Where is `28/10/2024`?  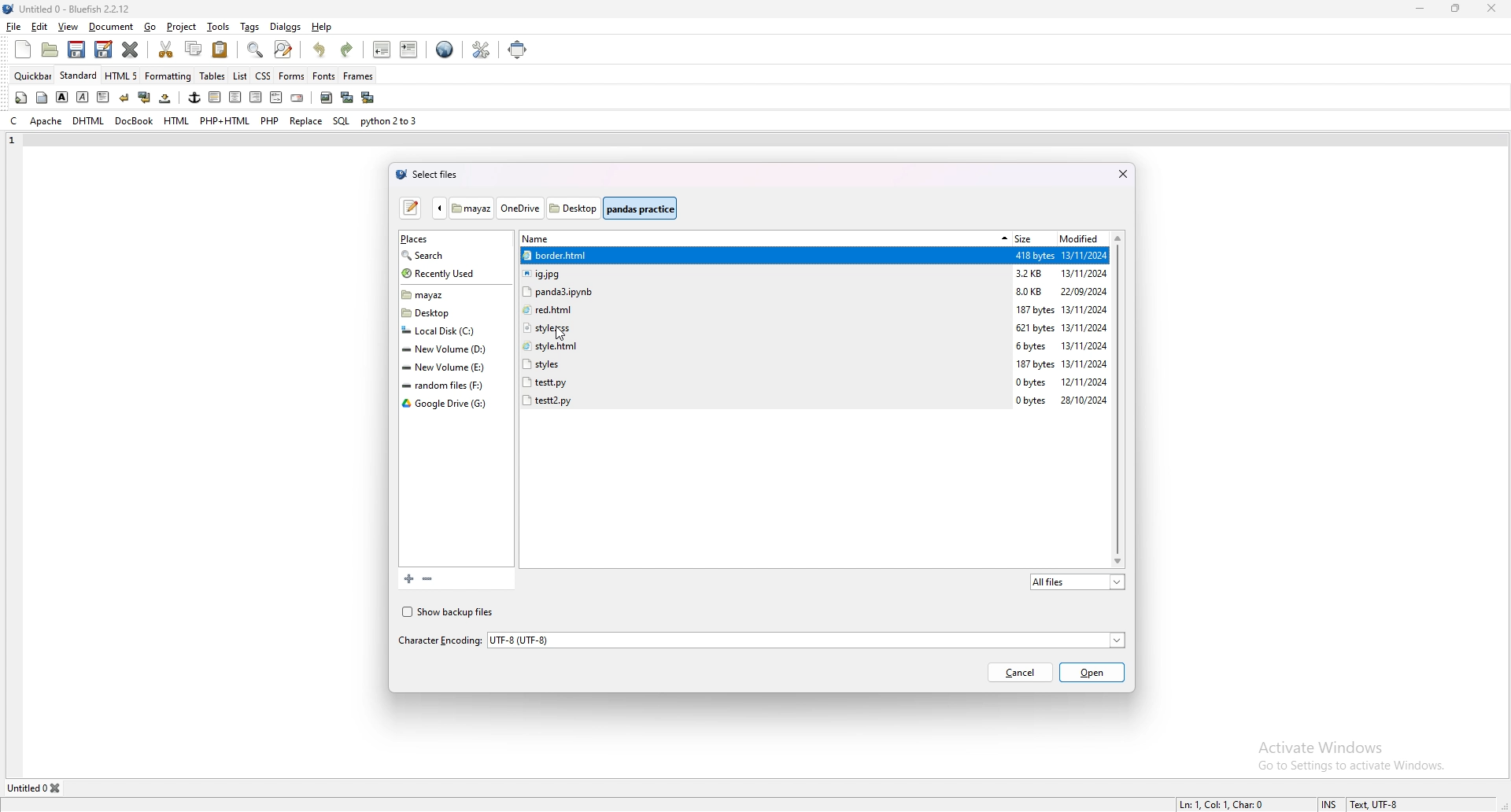 28/10/2024 is located at coordinates (1084, 400).